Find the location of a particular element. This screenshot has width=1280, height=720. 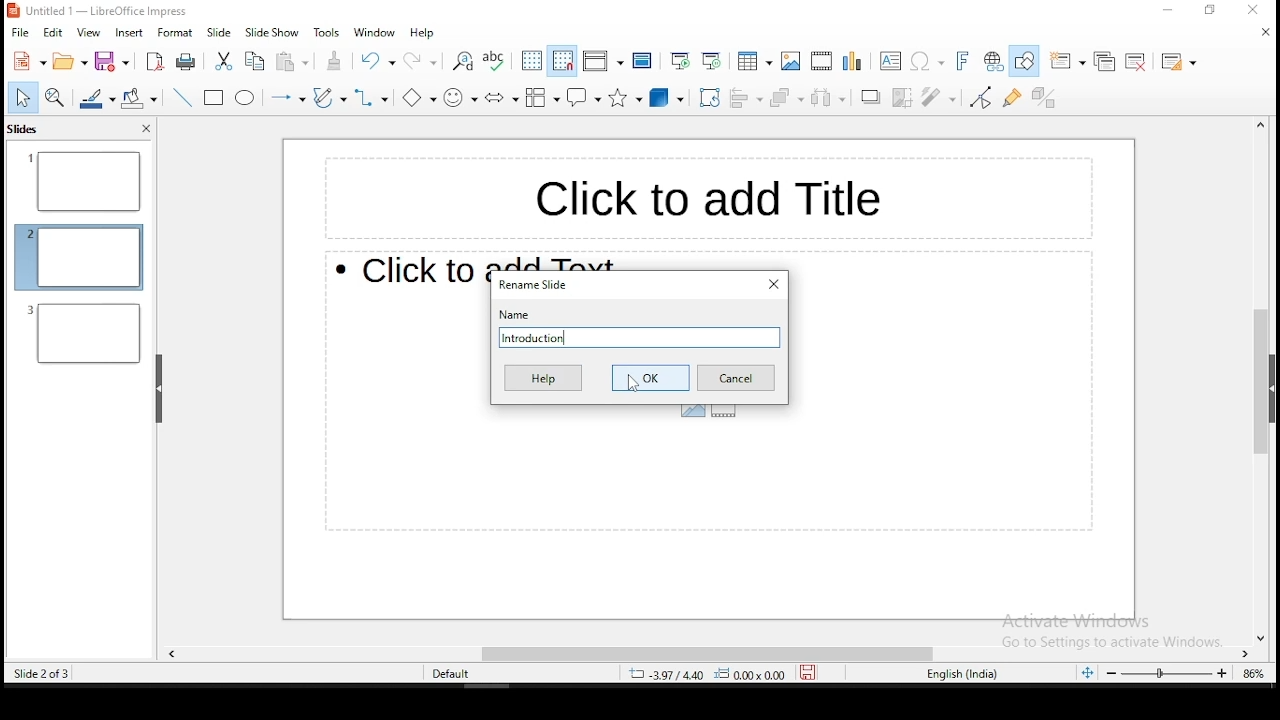

default is located at coordinates (453, 675).